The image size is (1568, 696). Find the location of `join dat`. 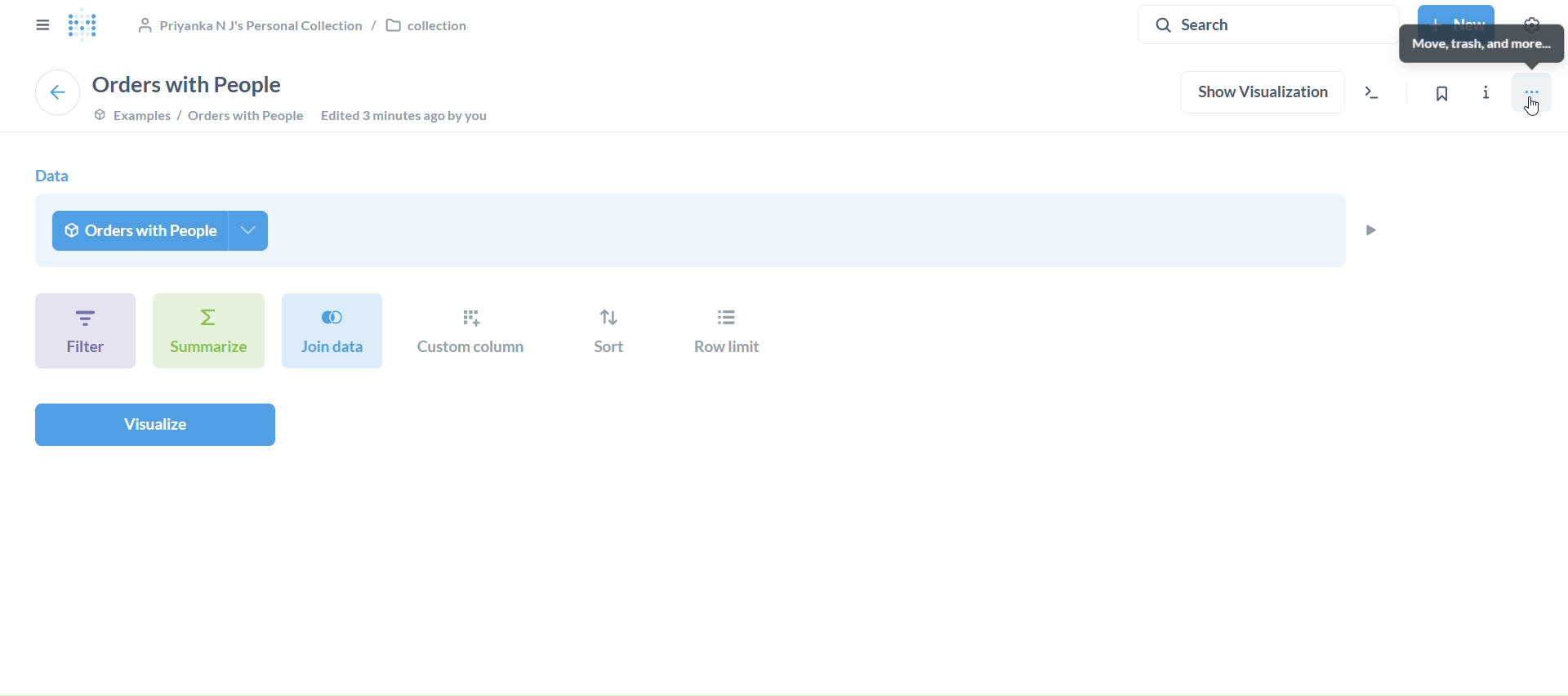

join dat is located at coordinates (329, 331).